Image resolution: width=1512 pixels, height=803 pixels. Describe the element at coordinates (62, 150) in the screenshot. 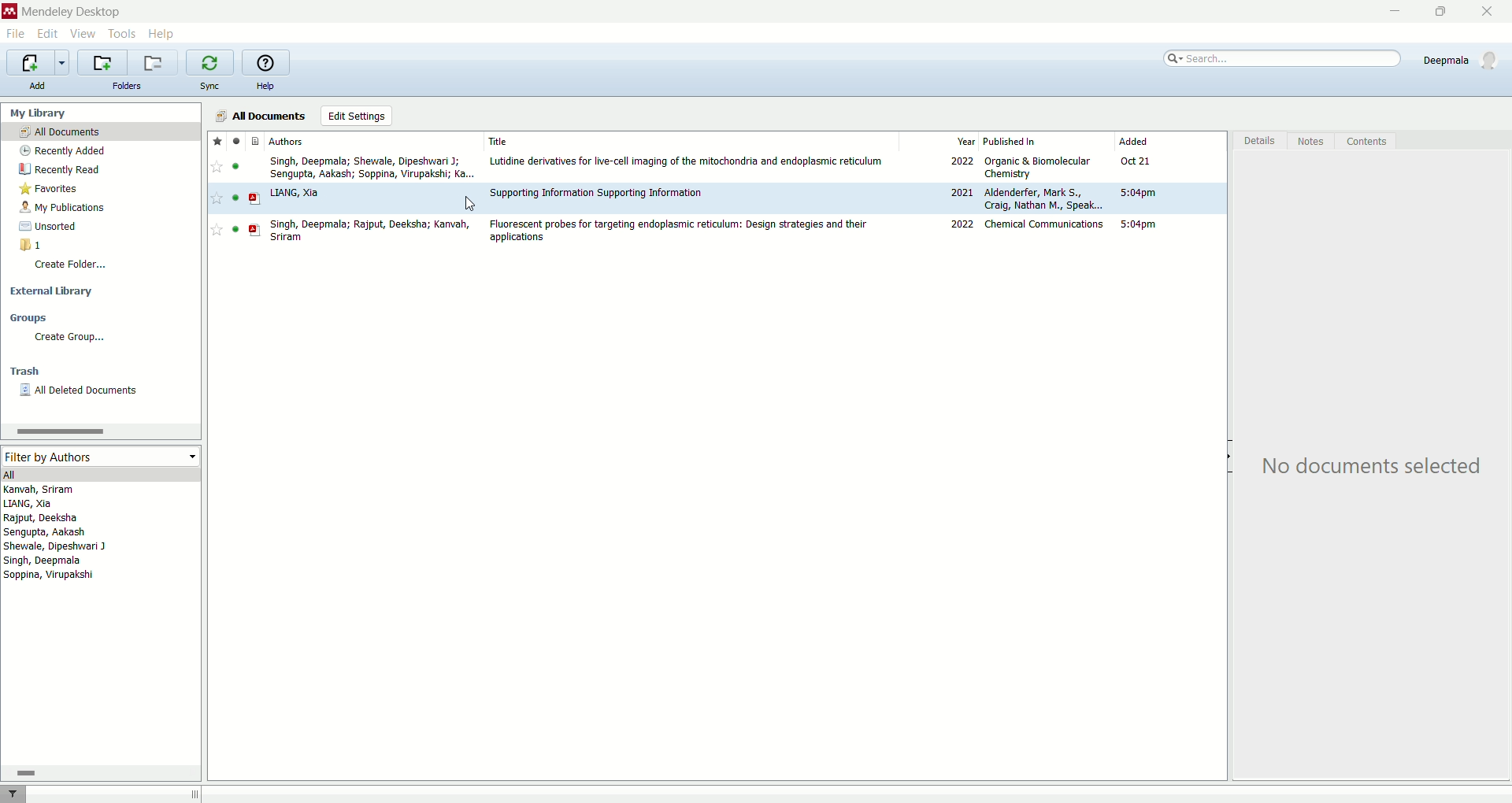

I see `recently added` at that location.